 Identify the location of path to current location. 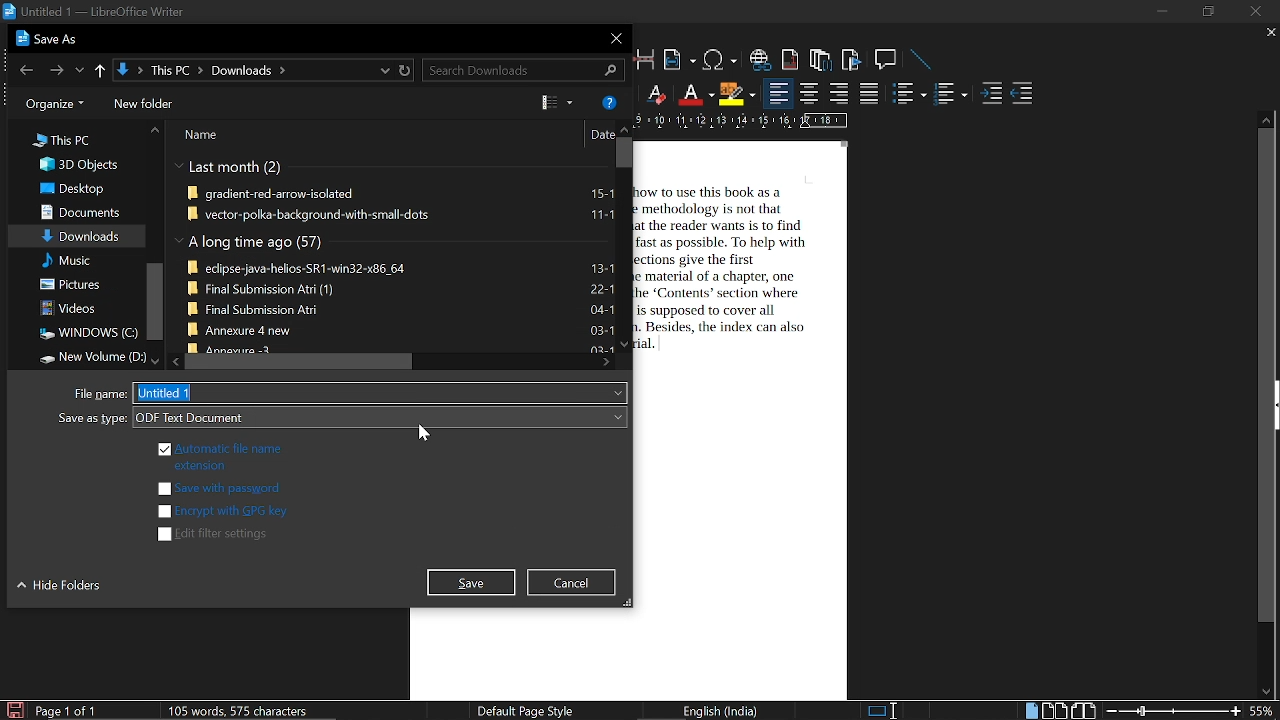
(242, 70).